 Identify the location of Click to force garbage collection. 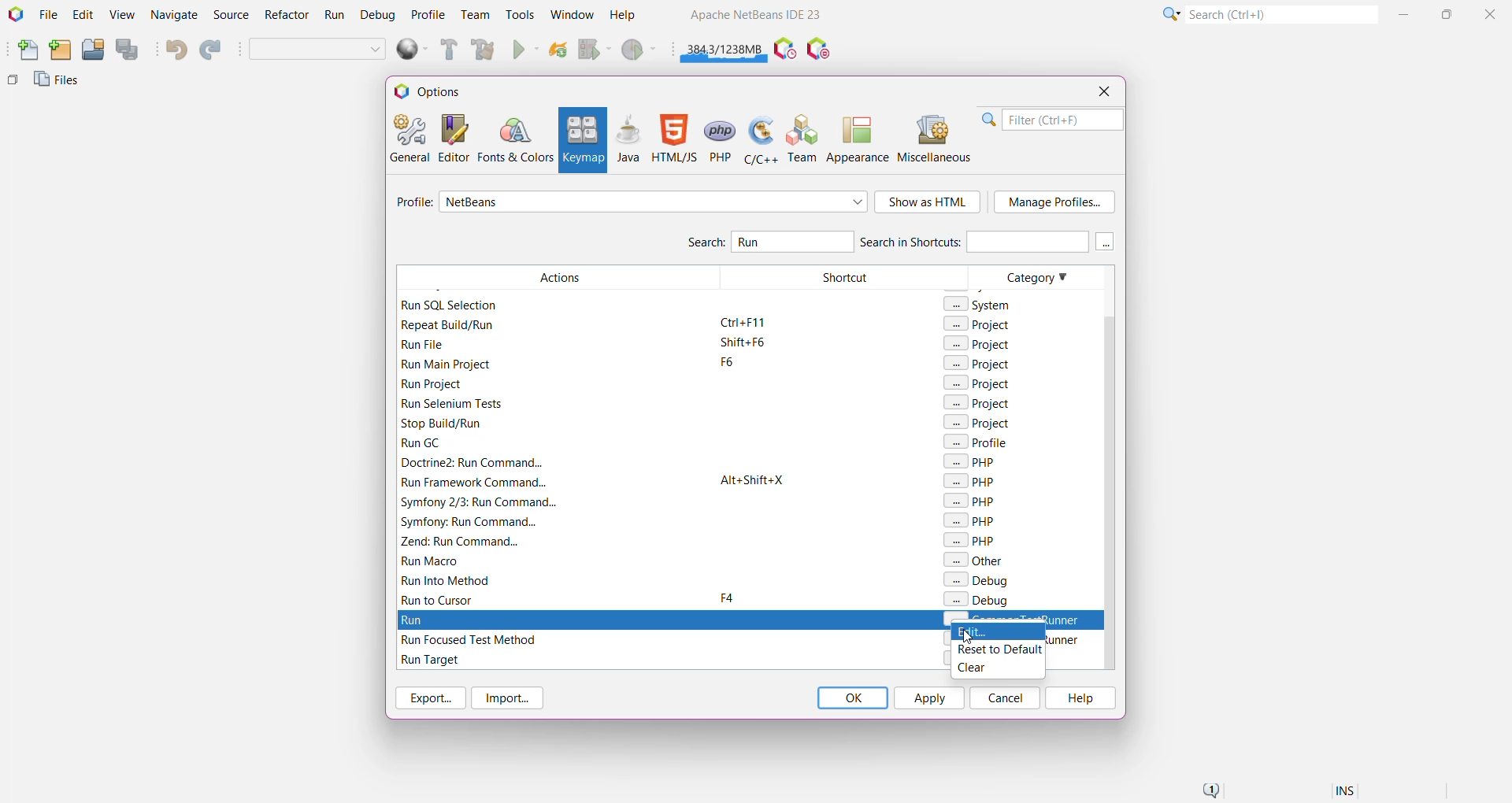
(724, 47).